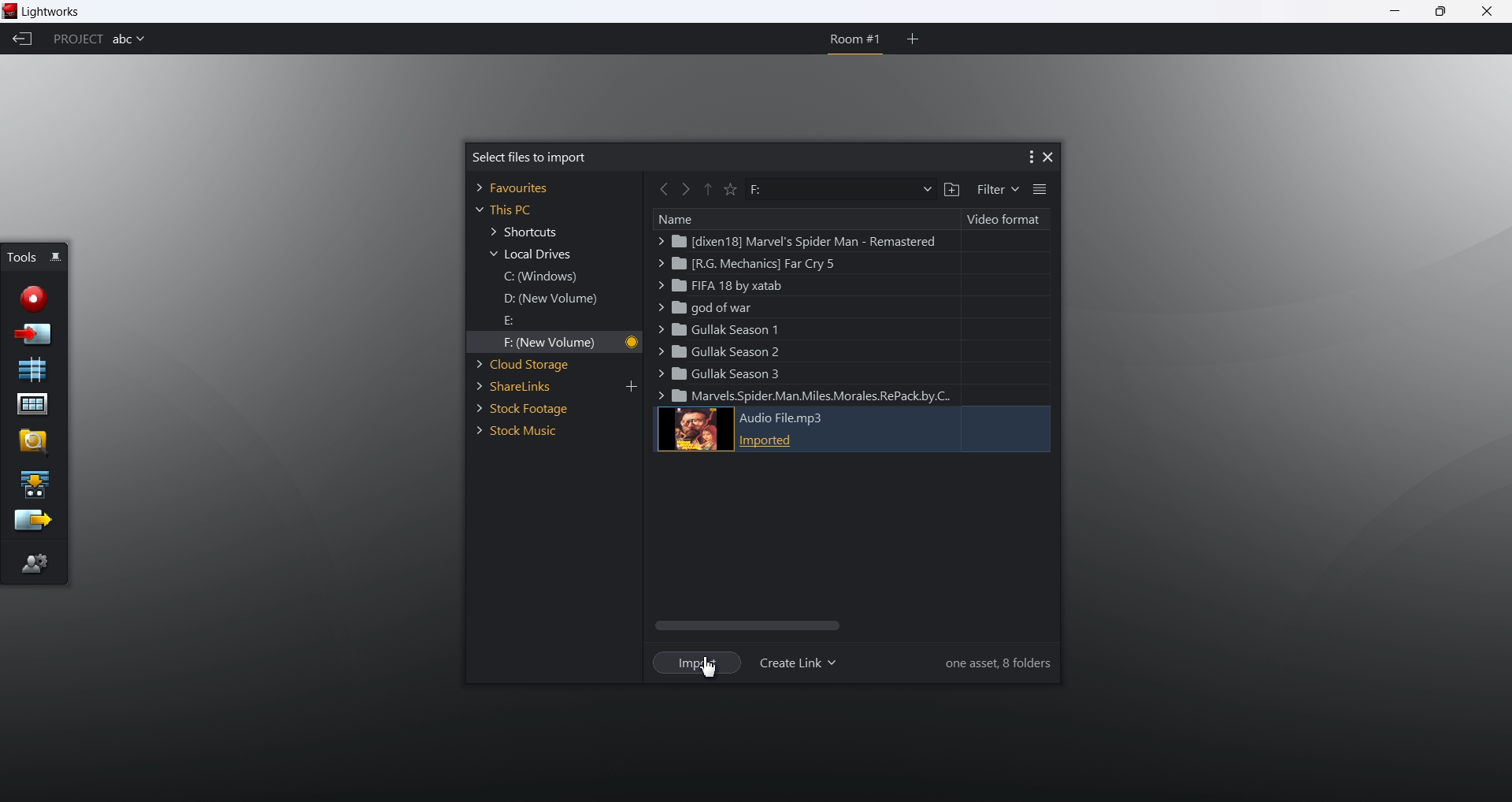  I want to click on information, so click(995, 663).